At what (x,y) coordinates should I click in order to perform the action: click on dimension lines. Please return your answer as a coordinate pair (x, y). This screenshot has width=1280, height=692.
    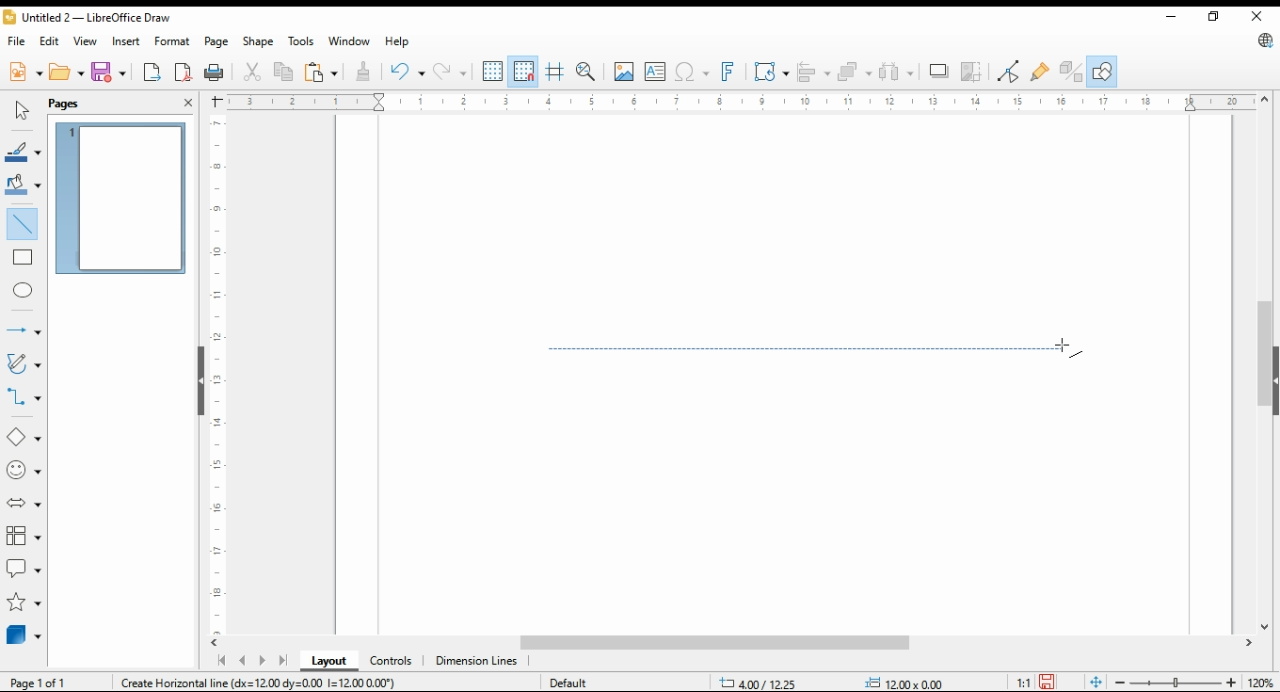
    Looking at the image, I should click on (477, 662).